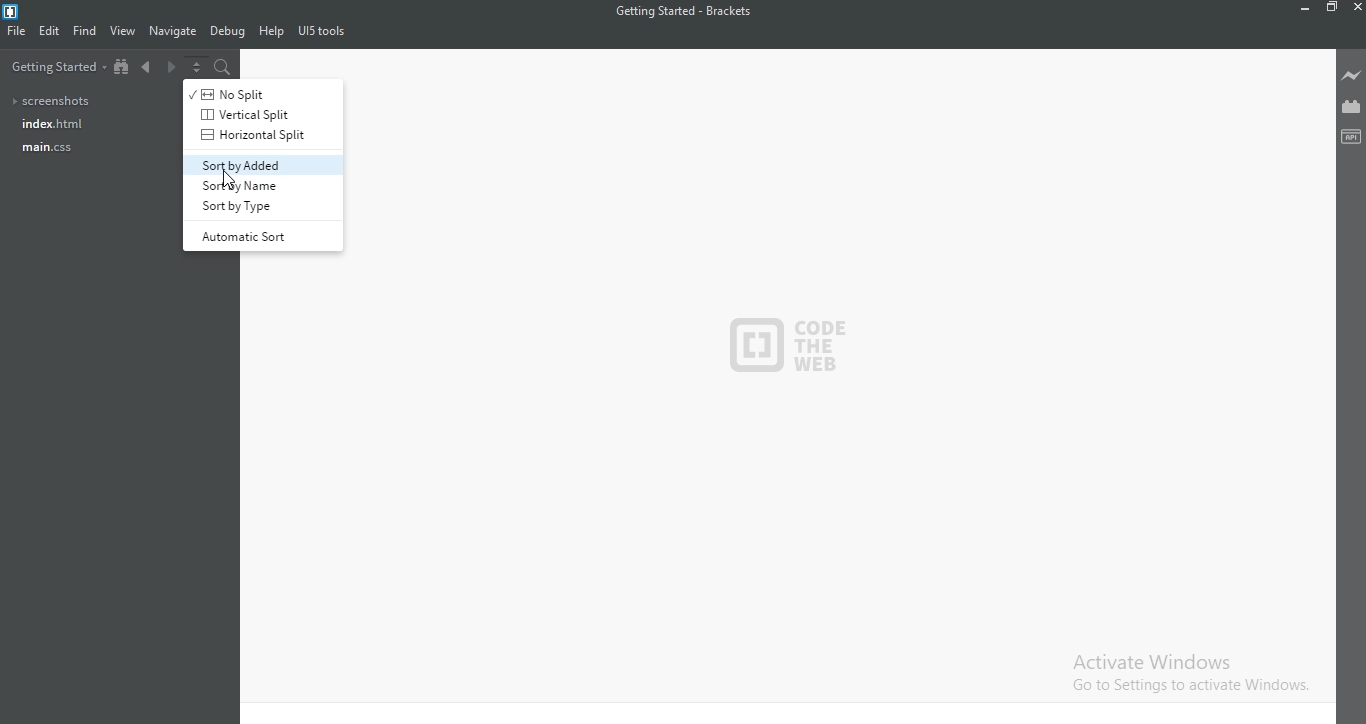 Image resolution: width=1366 pixels, height=724 pixels. I want to click on UI5 tools, so click(324, 34).